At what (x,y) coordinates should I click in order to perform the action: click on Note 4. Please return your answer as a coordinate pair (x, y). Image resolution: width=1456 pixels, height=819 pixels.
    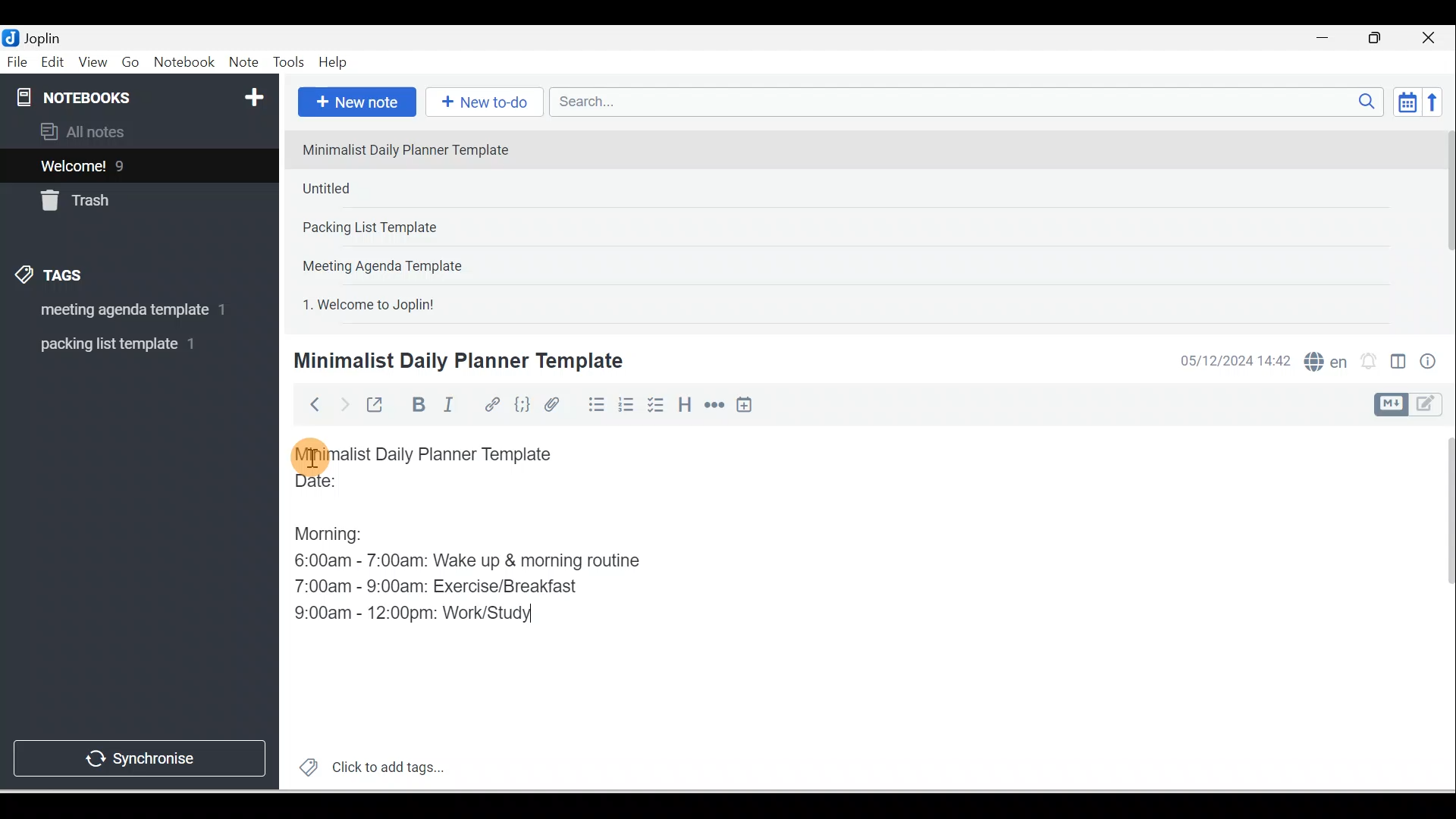
    Looking at the image, I should click on (403, 262).